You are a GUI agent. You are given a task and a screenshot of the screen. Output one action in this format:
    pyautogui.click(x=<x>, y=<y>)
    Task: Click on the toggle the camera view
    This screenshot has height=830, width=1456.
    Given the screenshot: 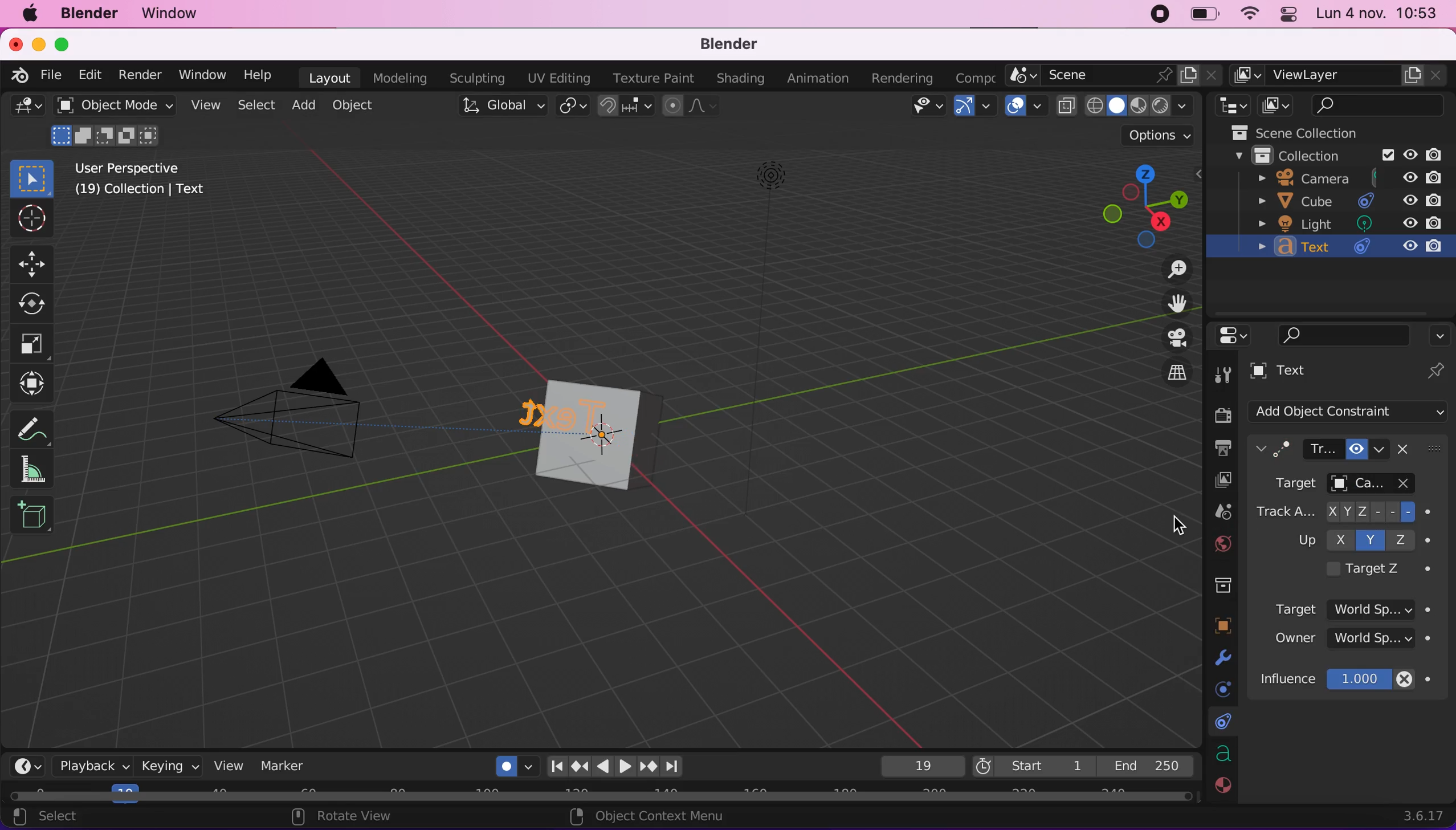 What is the action you would take?
    pyautogui.click(x=1174, y=337)
    